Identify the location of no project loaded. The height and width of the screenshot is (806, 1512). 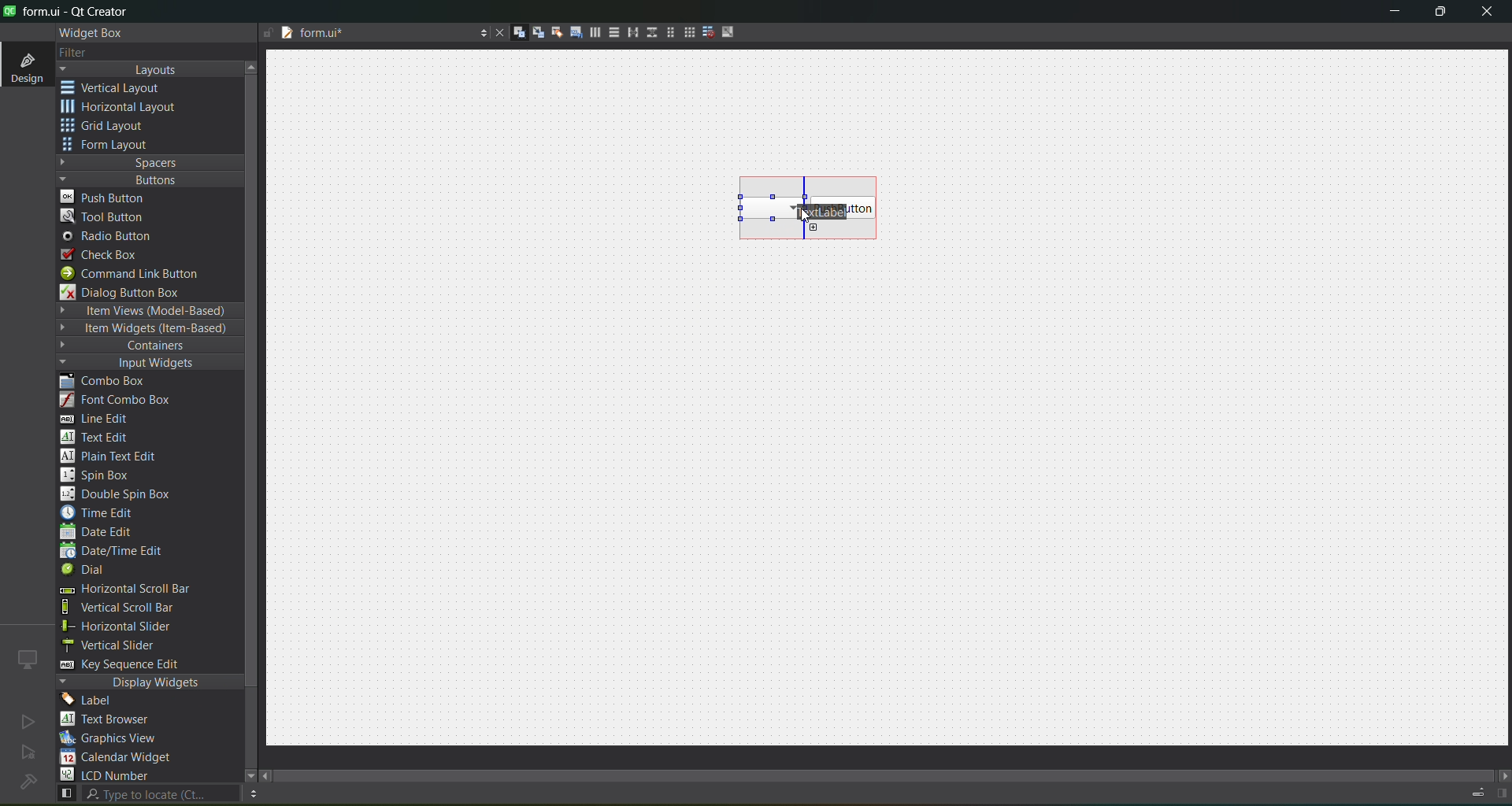
(28, 782).